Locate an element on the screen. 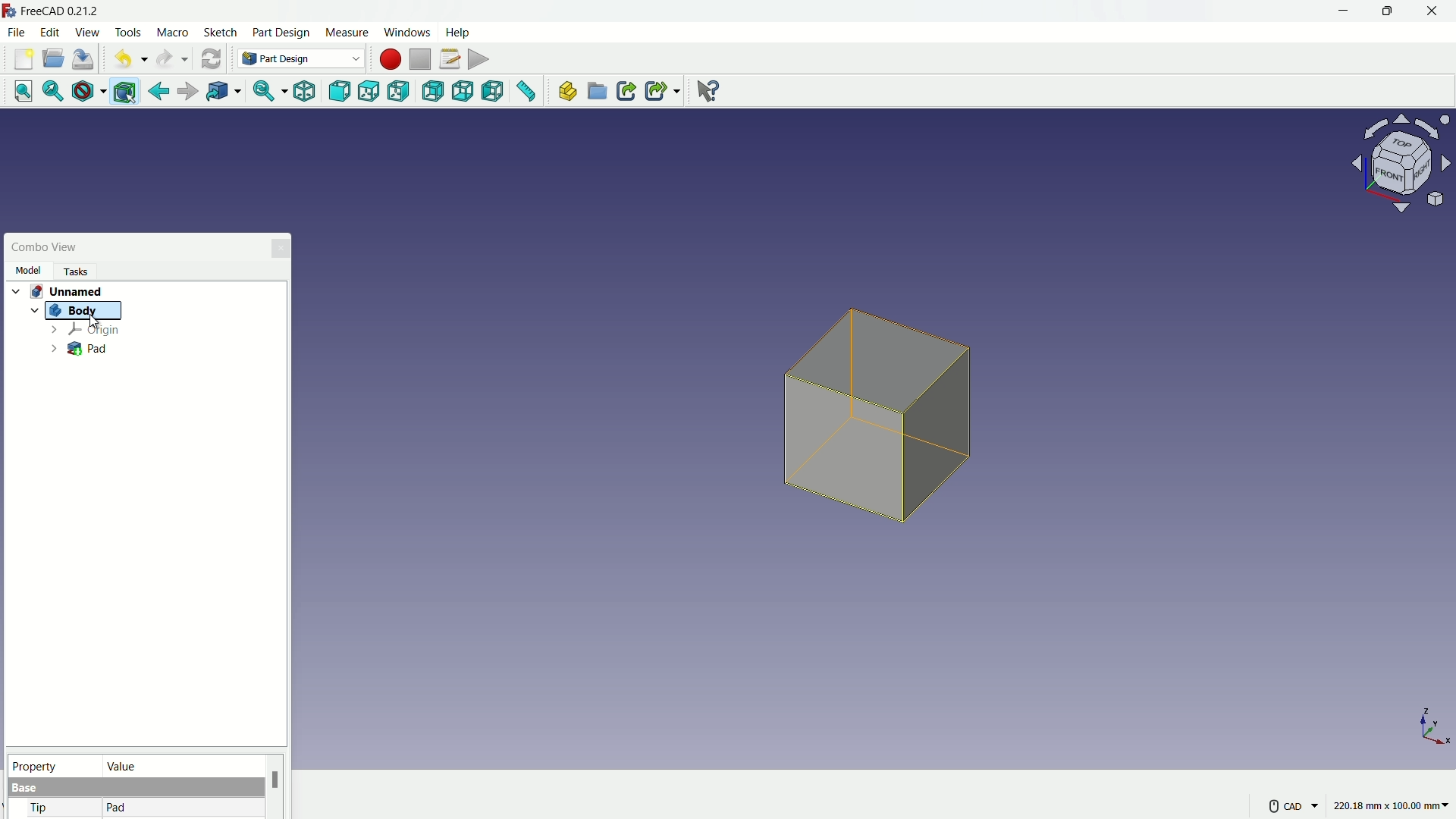 The height and width of the screenshot is (819, 1456). combo view is located at coordinates (45, 247).